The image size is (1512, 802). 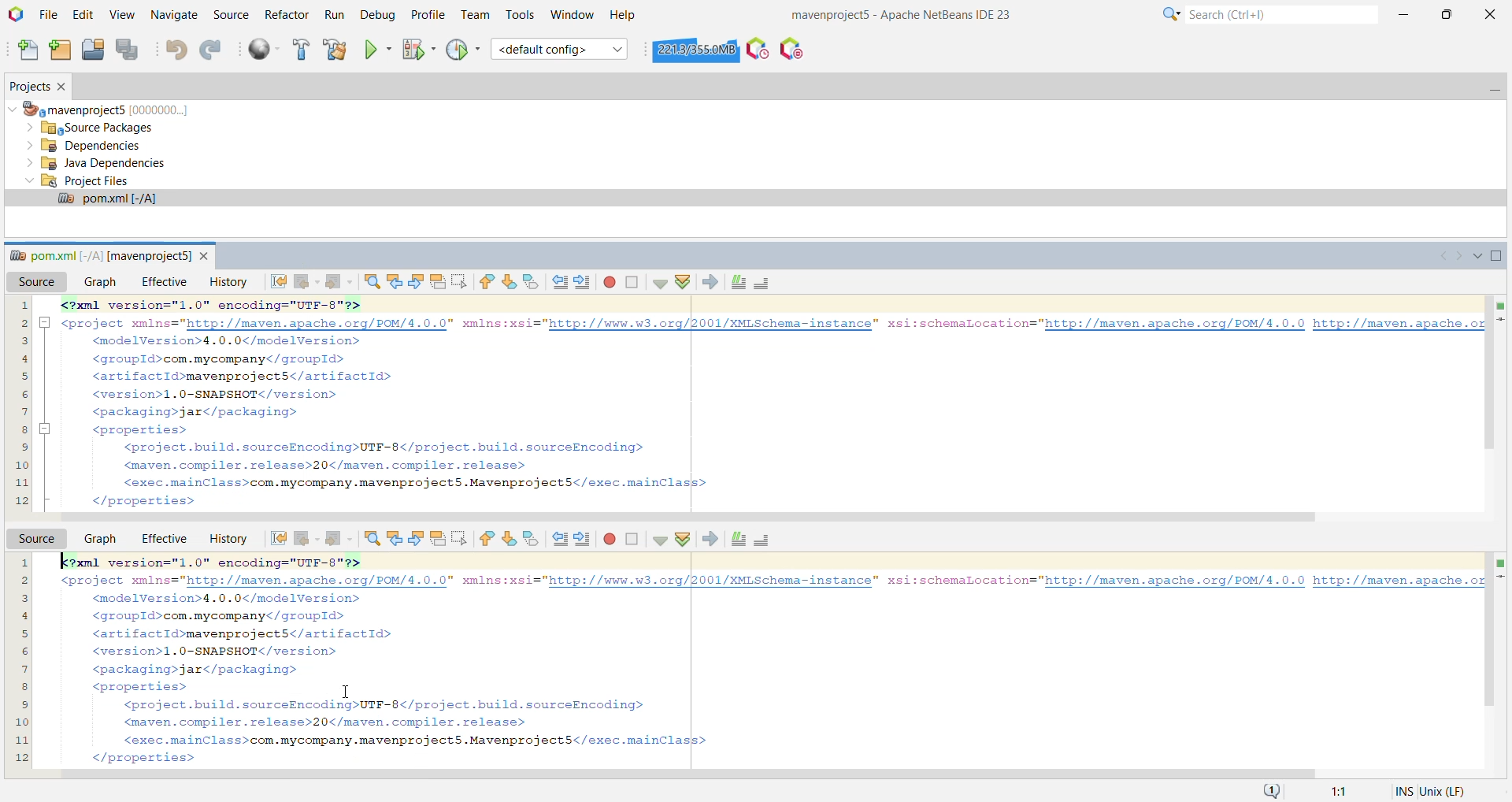 What do you see at coordinates (607, 284) in the screenshot?
I see `Next macro recording` at bounding box center [607, 284].